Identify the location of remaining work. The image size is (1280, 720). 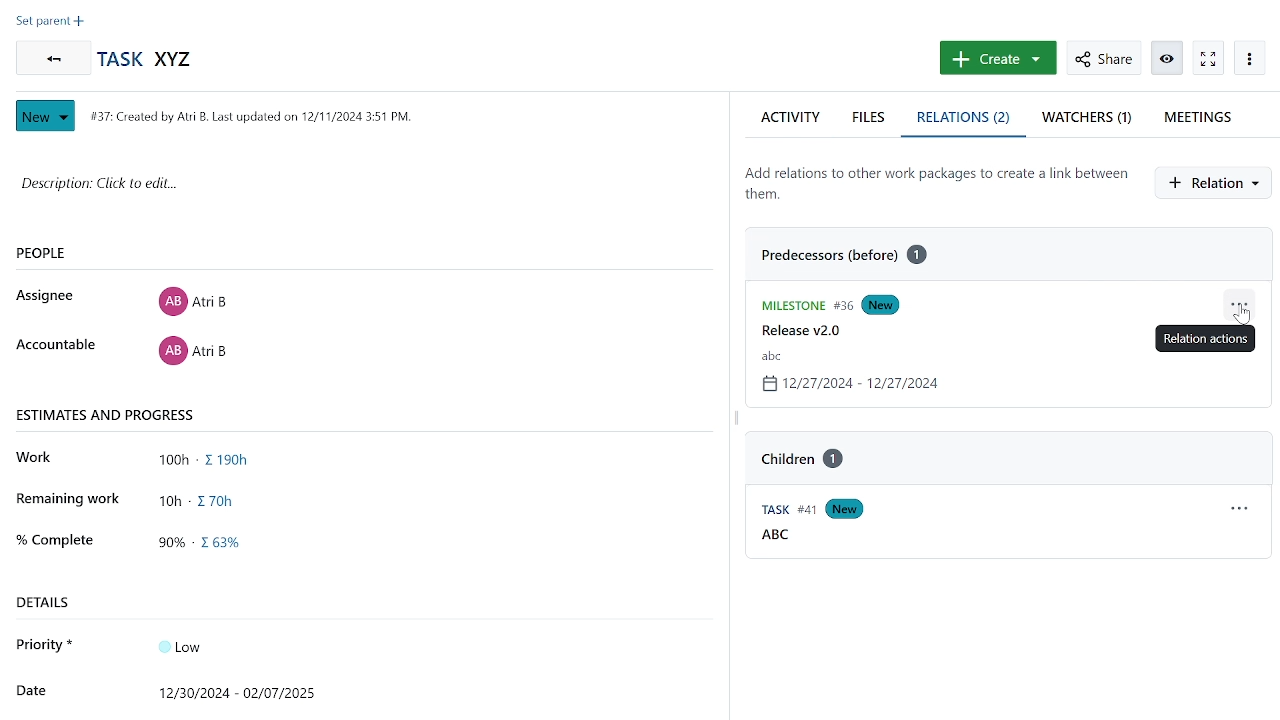
(206, 499).